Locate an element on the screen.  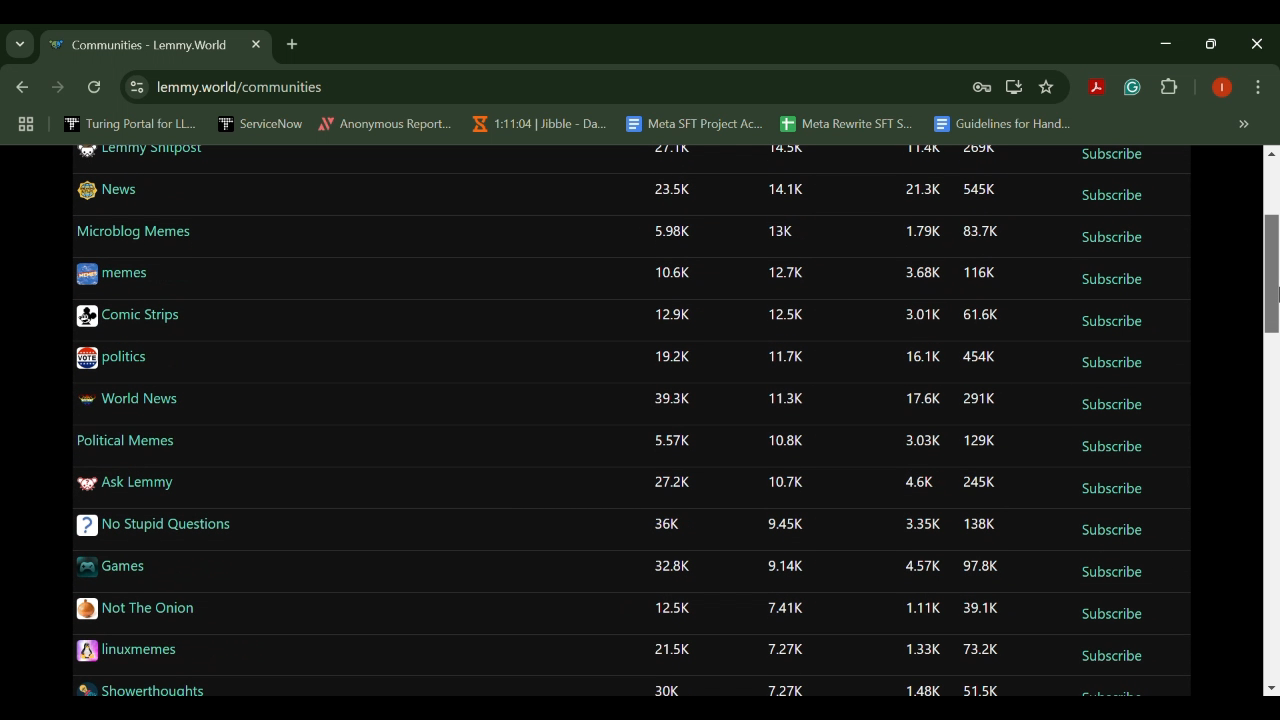
138K is located at coordinates (980, 524).